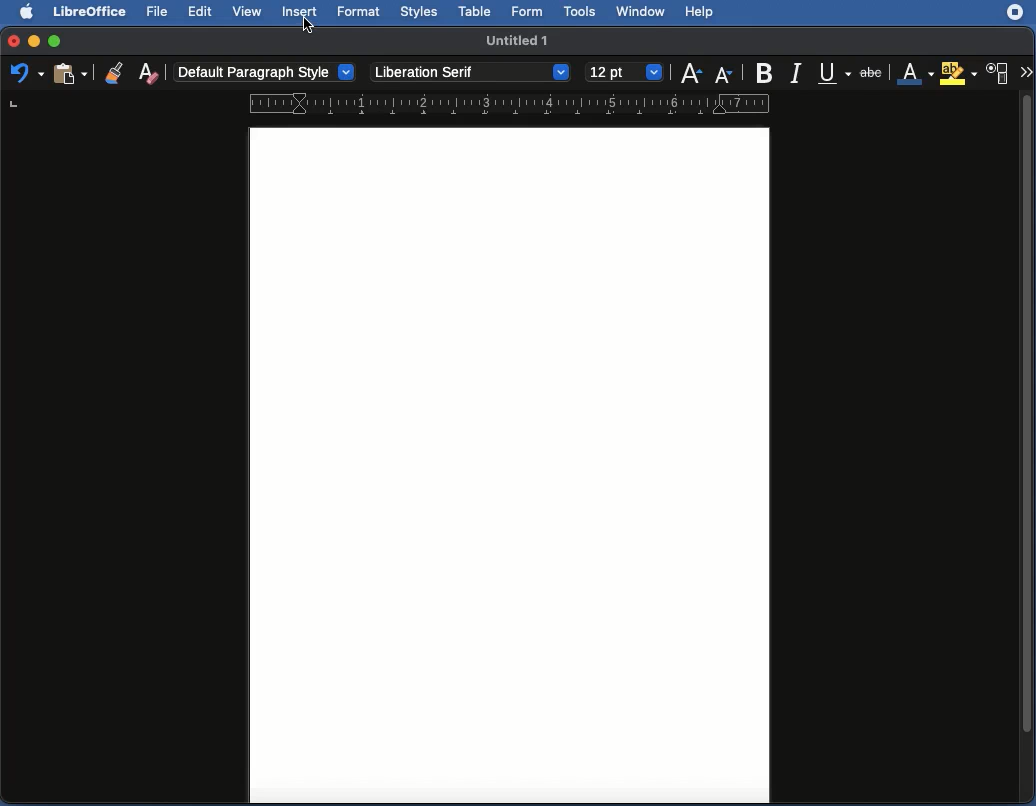  What do you see at coordinates (150, 75) in the screenshot?
I see `Clear direct formatting ` at bounding box center [150, 75].